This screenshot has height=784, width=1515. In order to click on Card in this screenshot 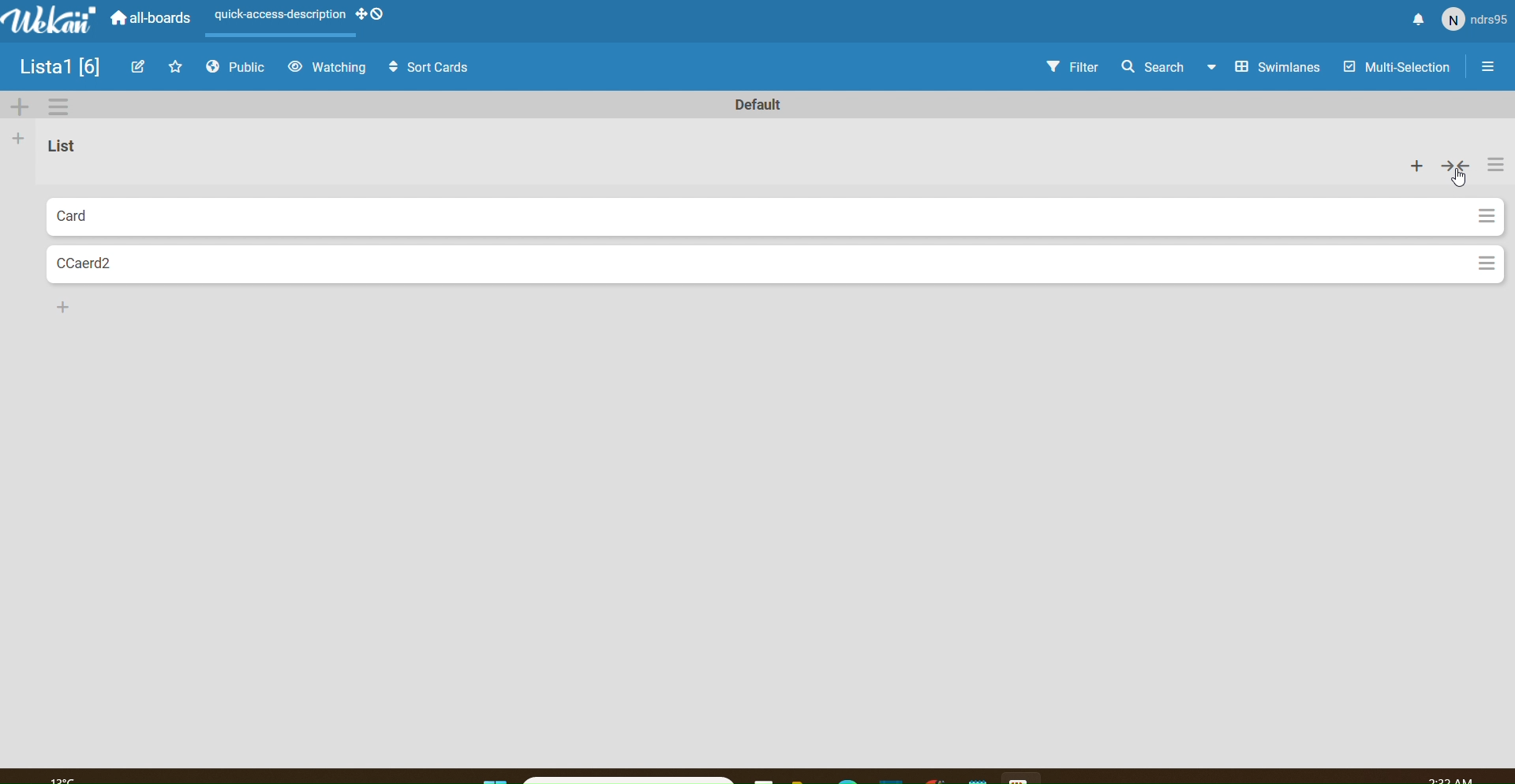, I will do `click(746, 217)`.